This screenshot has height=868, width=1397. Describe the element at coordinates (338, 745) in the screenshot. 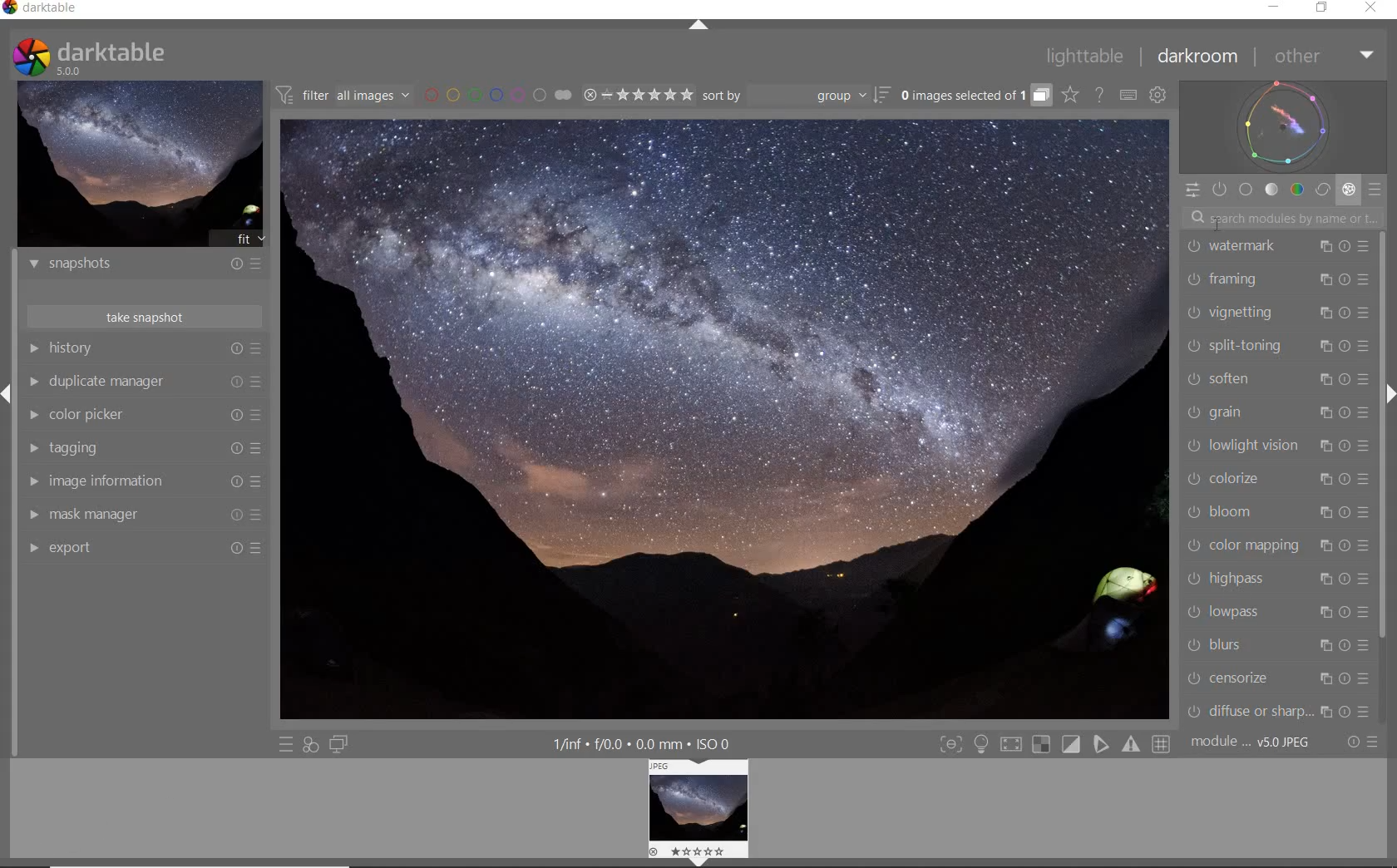

I see `DISPLAY A SECOND DARKROOM IMAGE WINDOW` at that location.